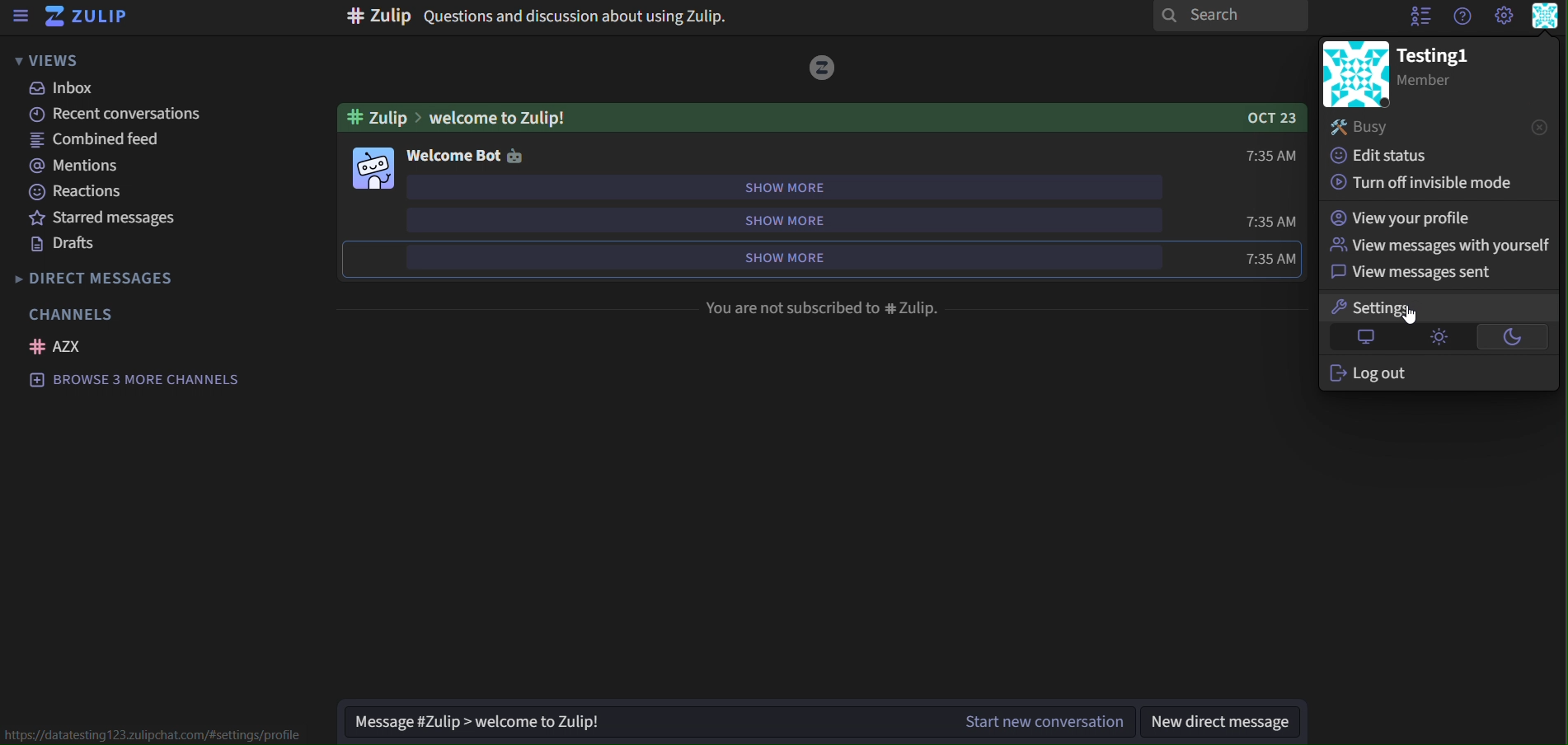  Describe the element at coordinates (1543, 22) in the screenshot. I see `personal menu` at that location.